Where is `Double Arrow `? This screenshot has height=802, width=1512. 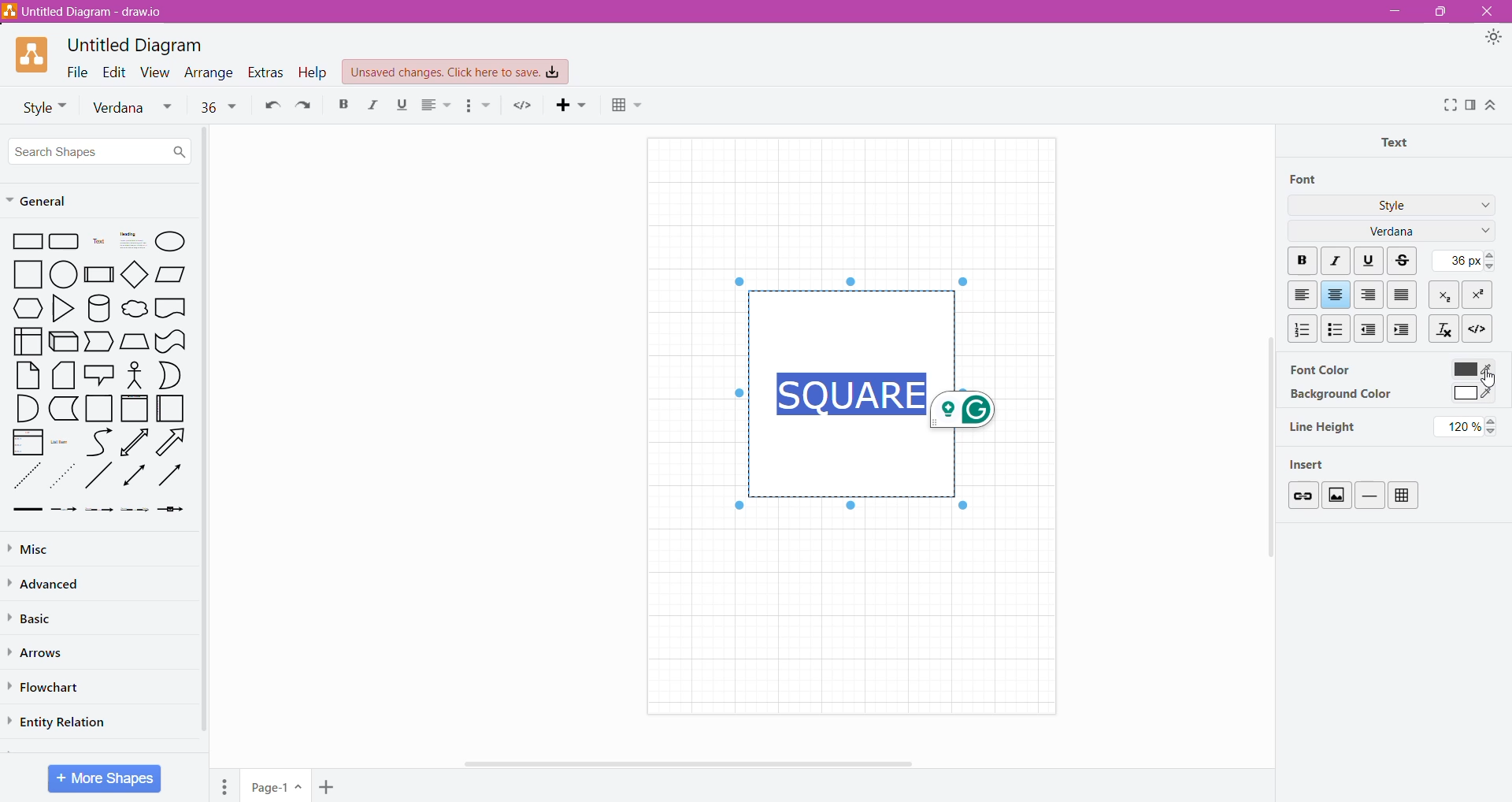 Double Arrow  is located at coordinates (135, 477).